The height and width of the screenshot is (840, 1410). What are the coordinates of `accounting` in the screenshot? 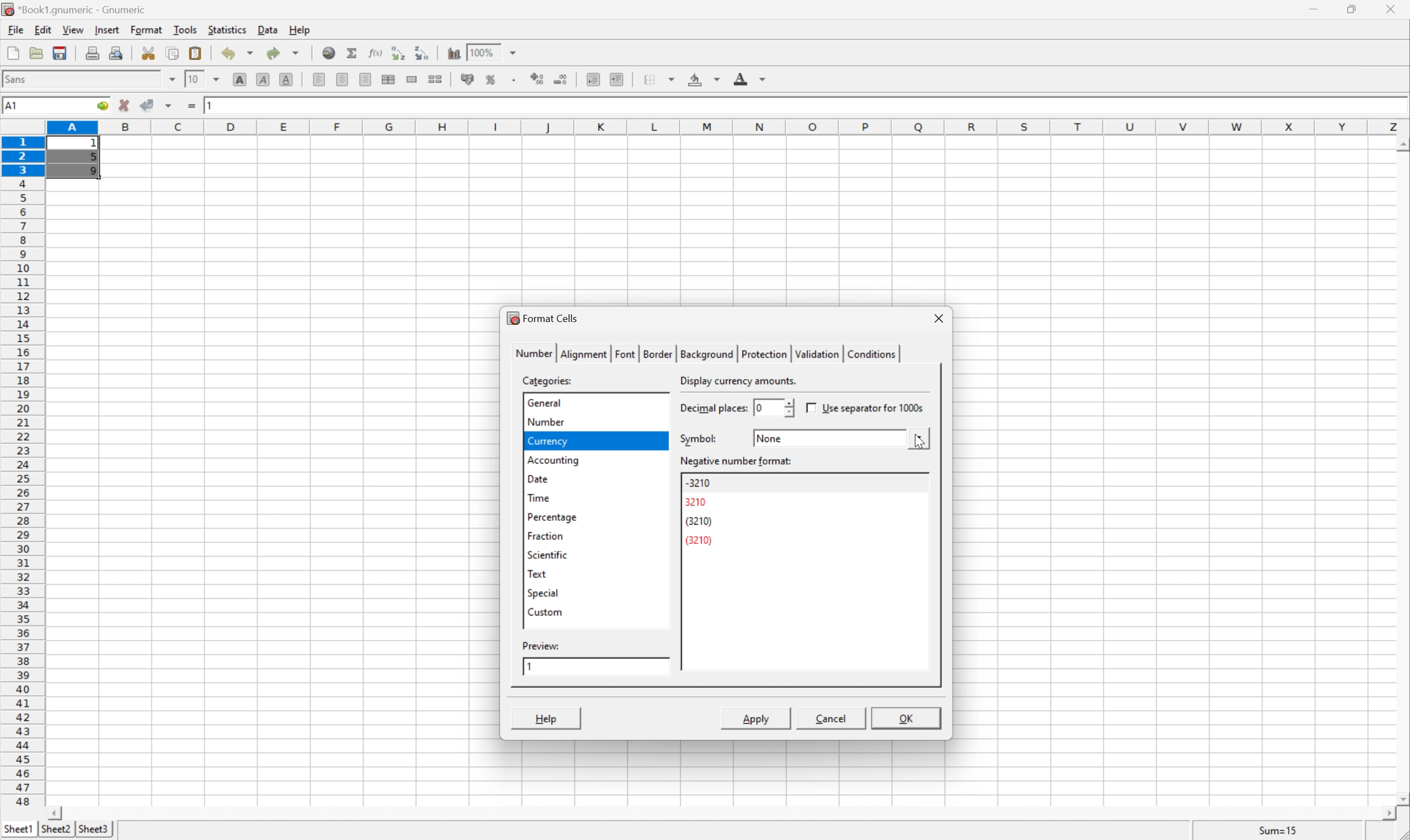 It's located at (554, 460).